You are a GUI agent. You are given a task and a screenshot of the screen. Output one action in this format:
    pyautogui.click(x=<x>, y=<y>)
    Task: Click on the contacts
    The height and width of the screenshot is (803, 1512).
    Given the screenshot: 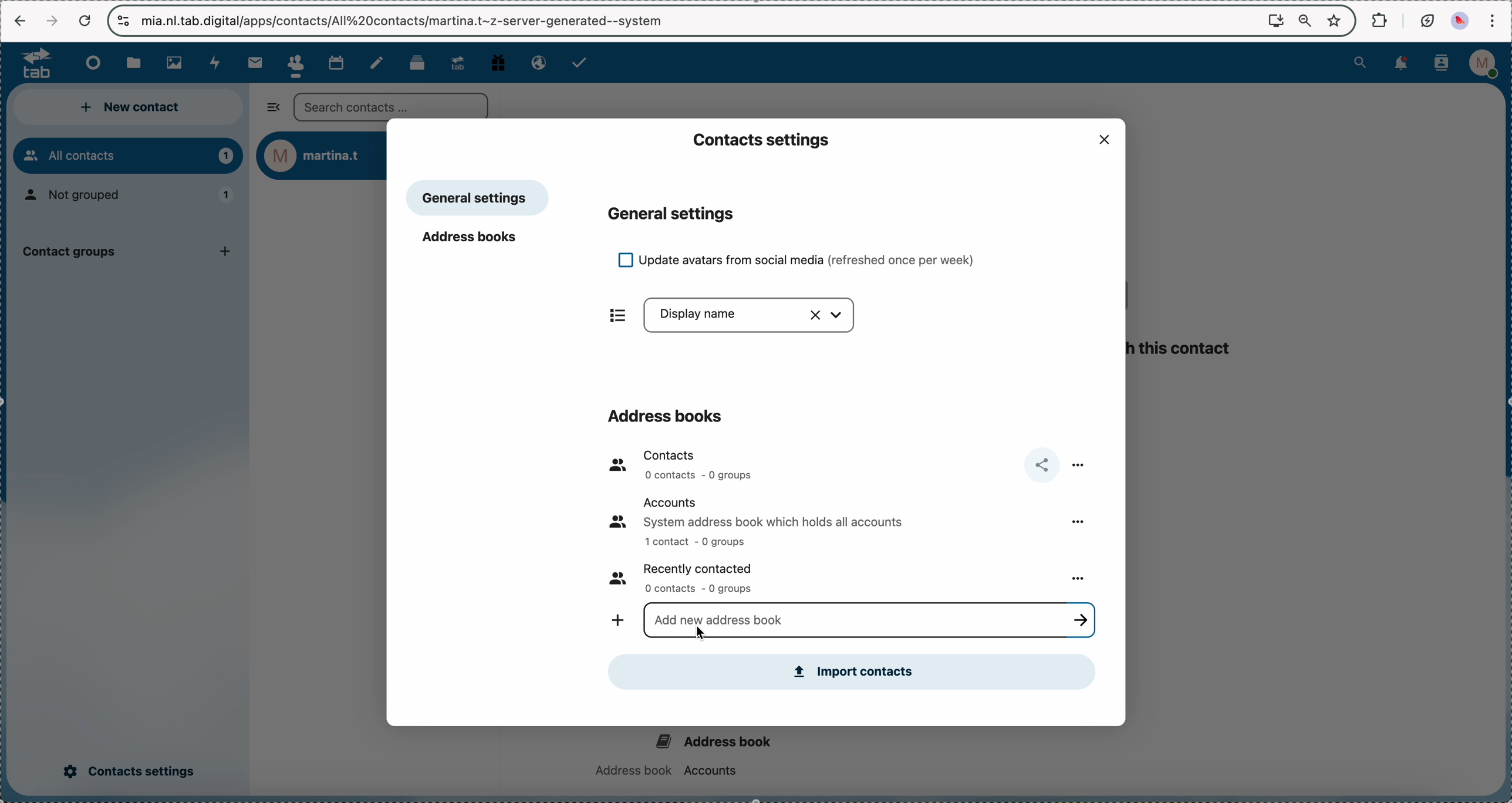 What is the action you would take?
    pyautogui.click(x=679, y=465)
    